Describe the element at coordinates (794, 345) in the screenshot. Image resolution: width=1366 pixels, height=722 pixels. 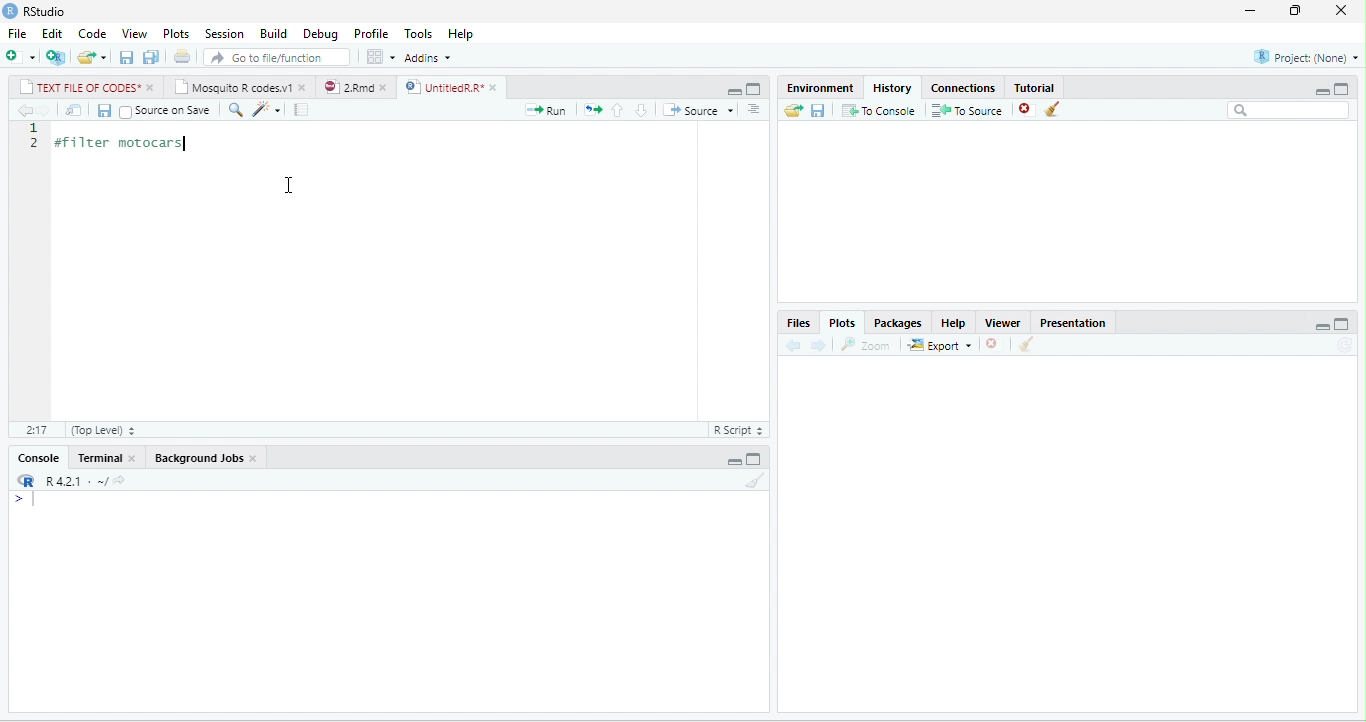
I see `back` at that location.